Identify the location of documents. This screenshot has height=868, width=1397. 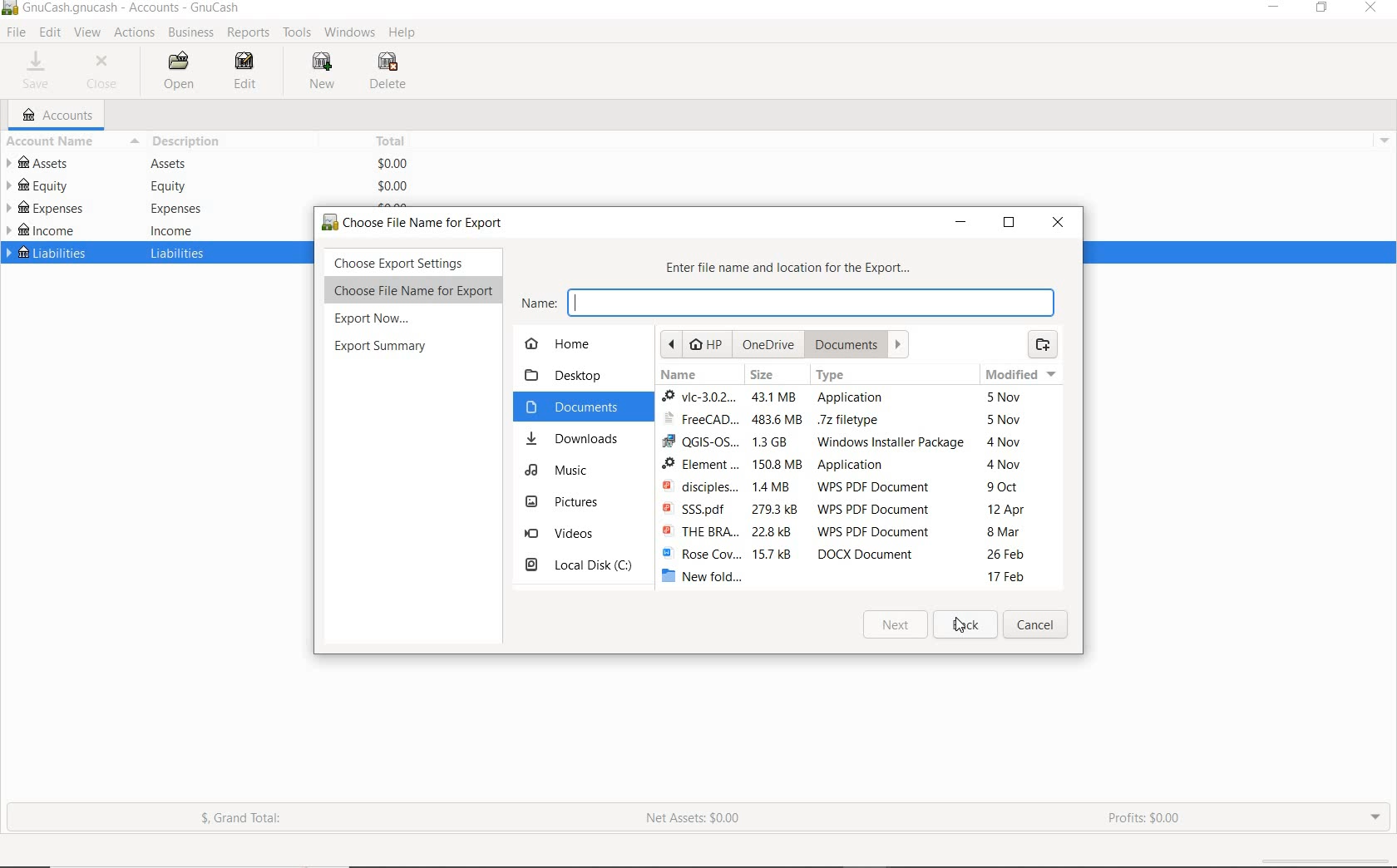
(578, 407).